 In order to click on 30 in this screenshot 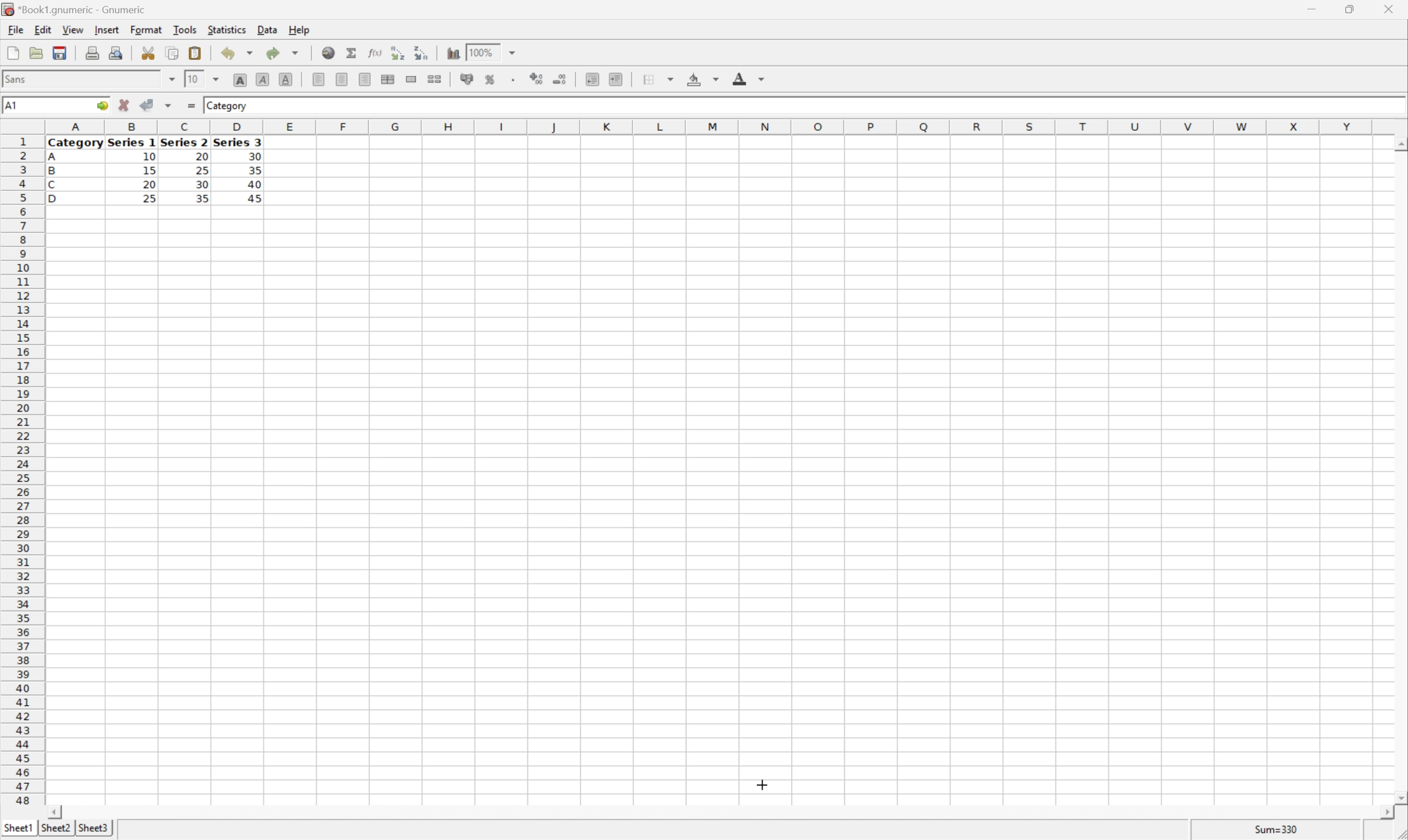, I will do `click(203, 186)`.